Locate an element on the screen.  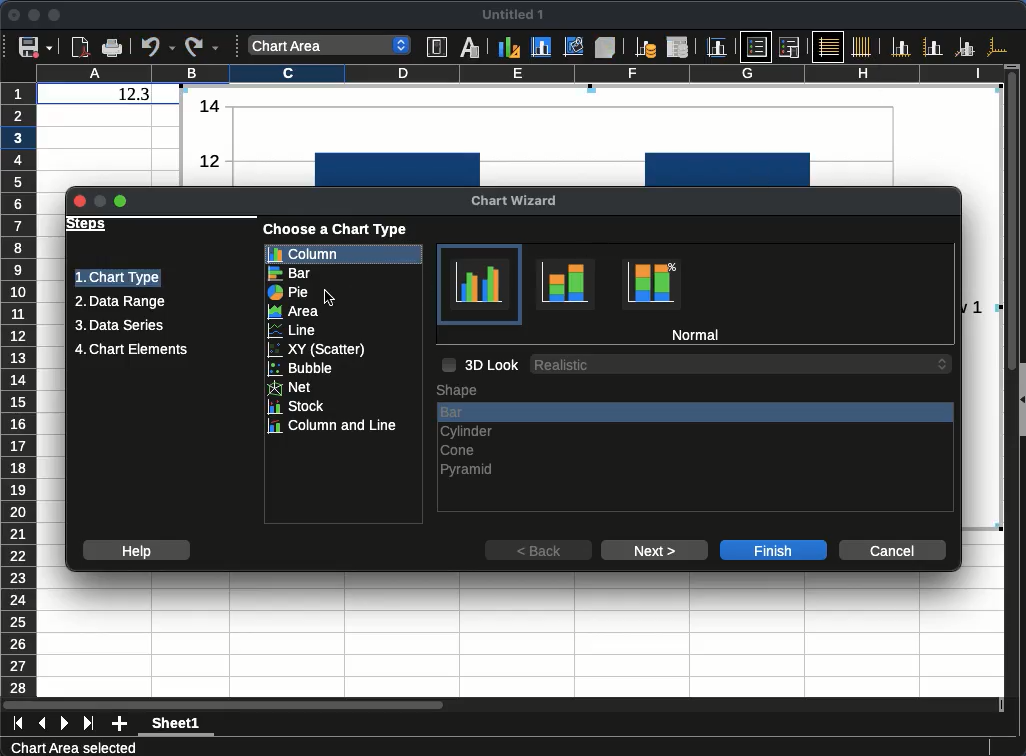
column and line is located at coordinates (344, 427).